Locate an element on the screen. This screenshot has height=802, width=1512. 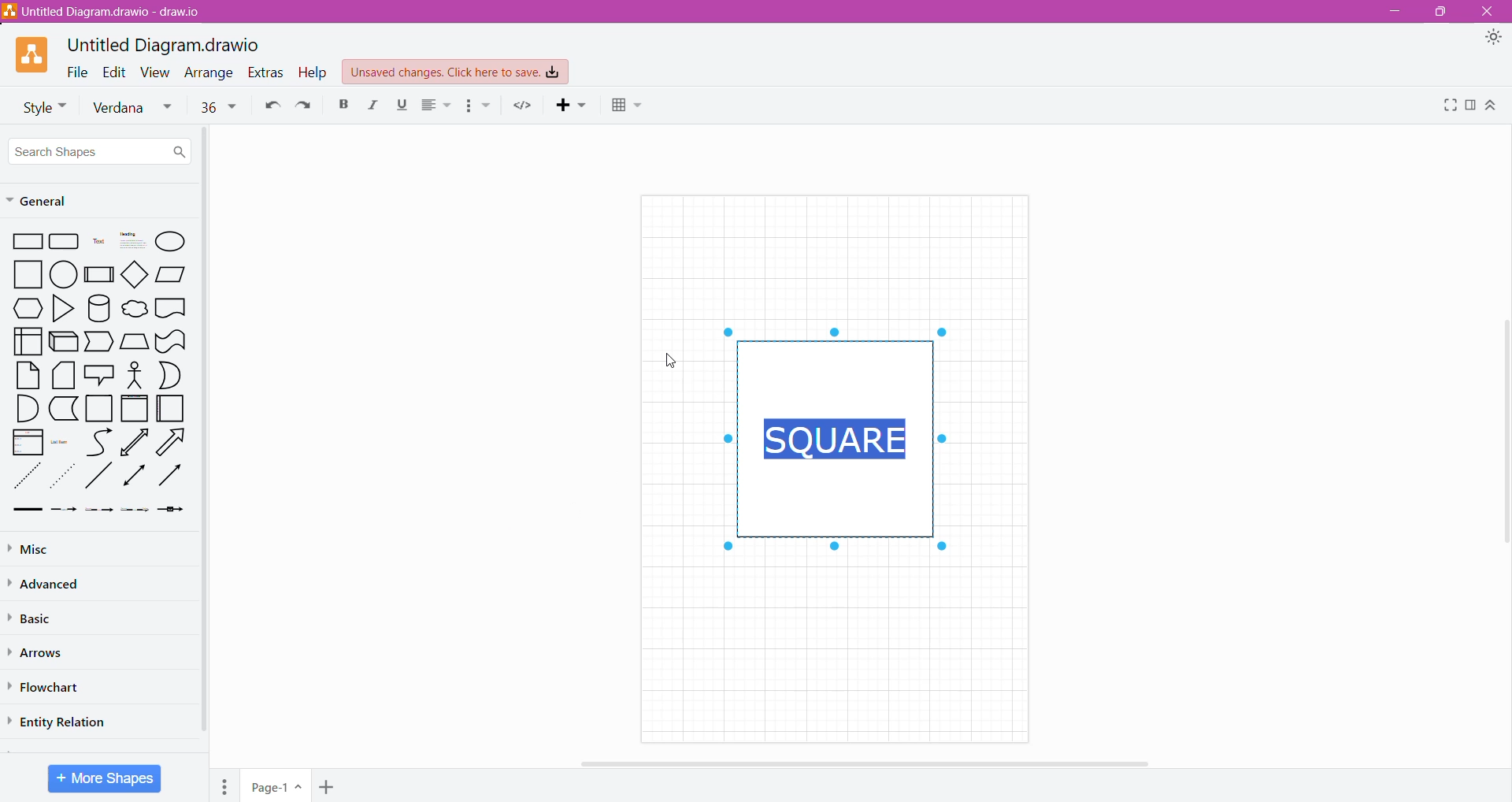
Document is located at coordinates (171, 308).